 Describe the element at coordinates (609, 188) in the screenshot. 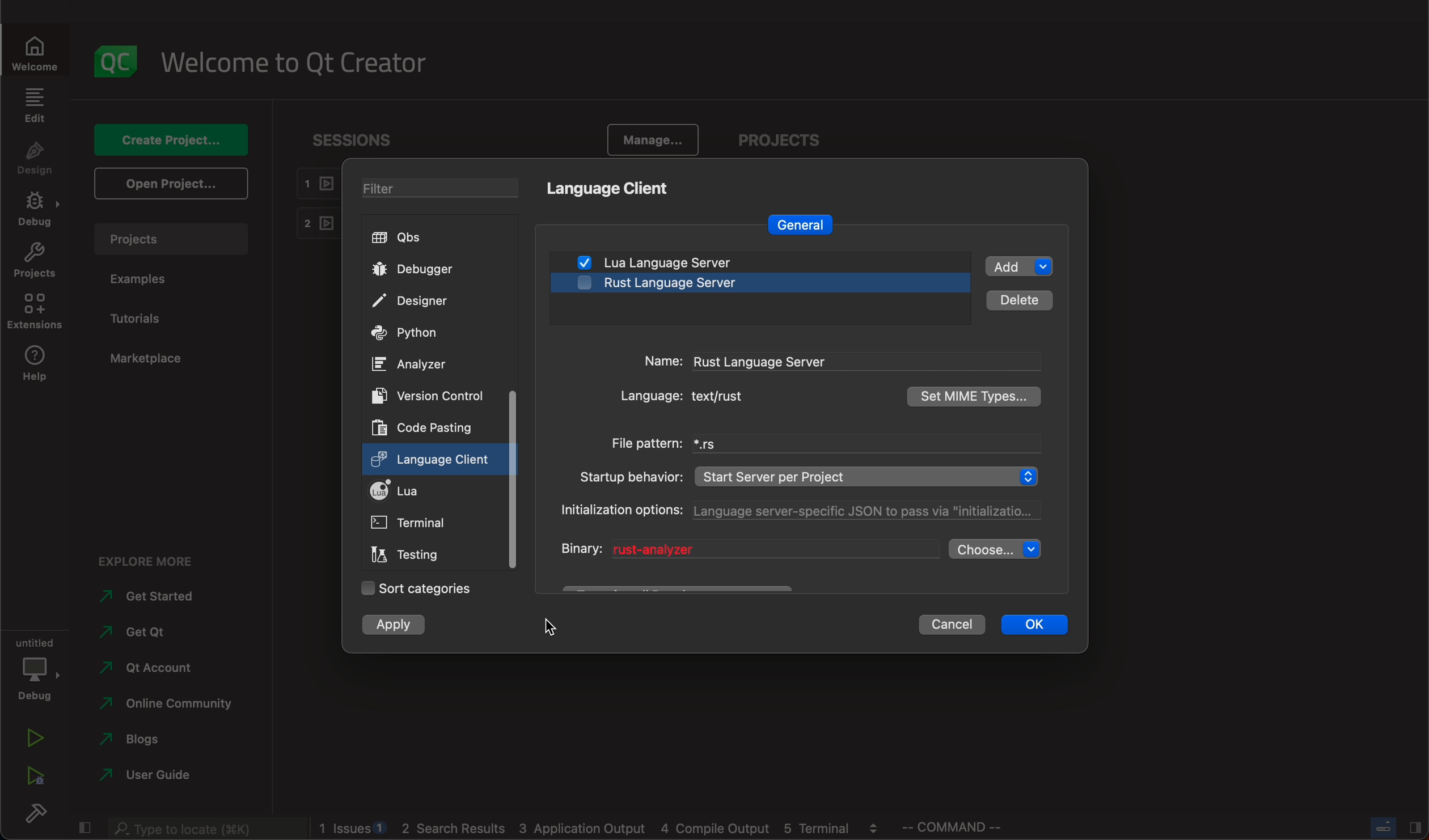

I see `language` at that location.